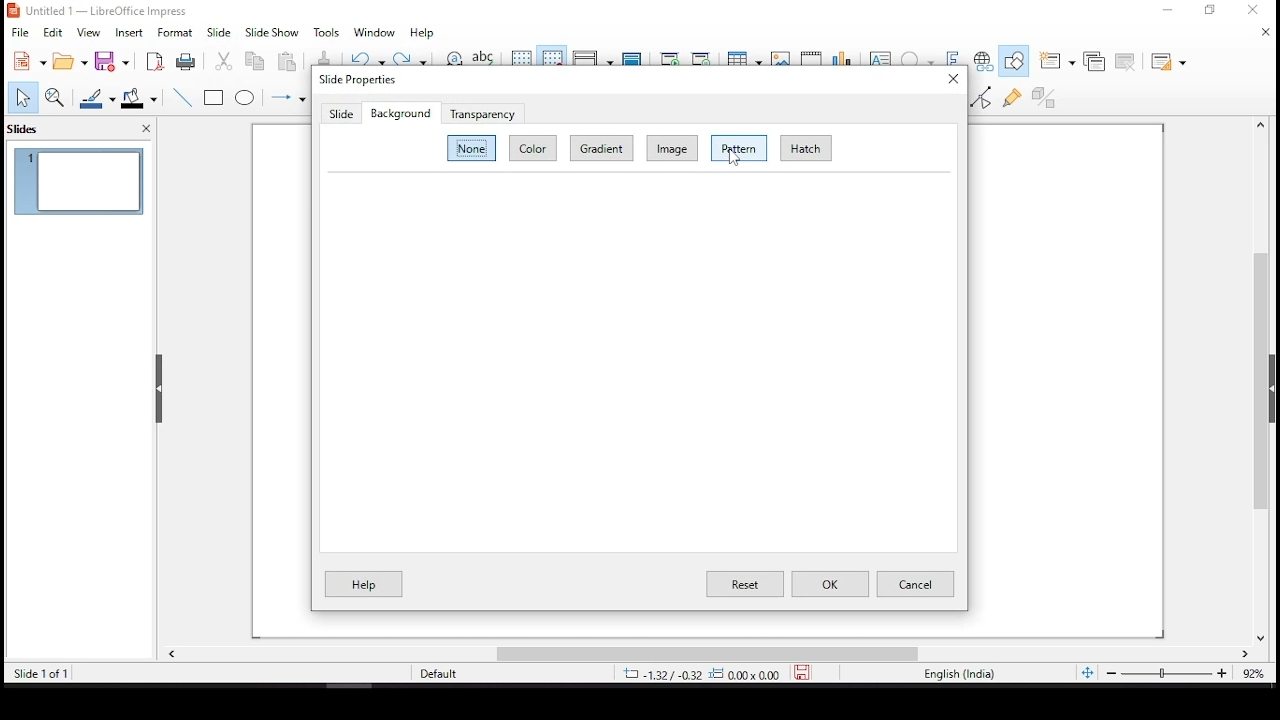 This screenshot has height=720, width=1280. What do you see at coordinates (223, 61) in the screenshot?
I see `cut` at bounding box center [223, 61].